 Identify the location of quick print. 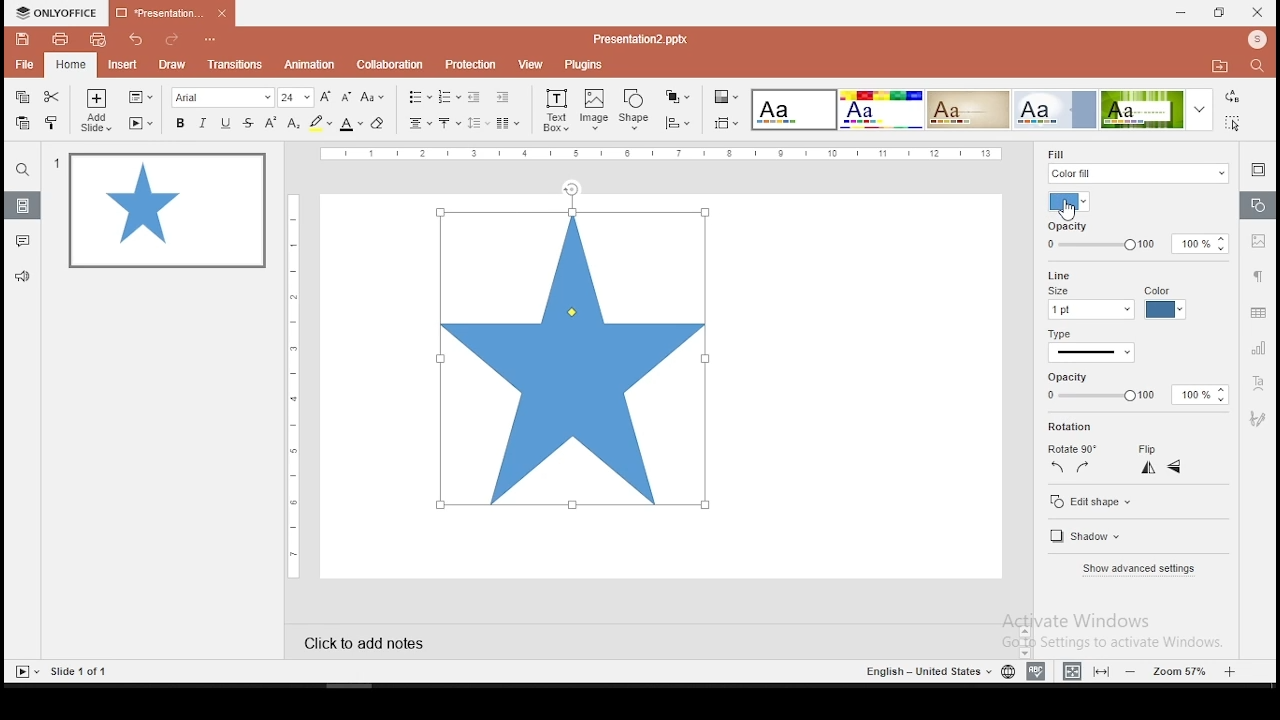
(97, 39).